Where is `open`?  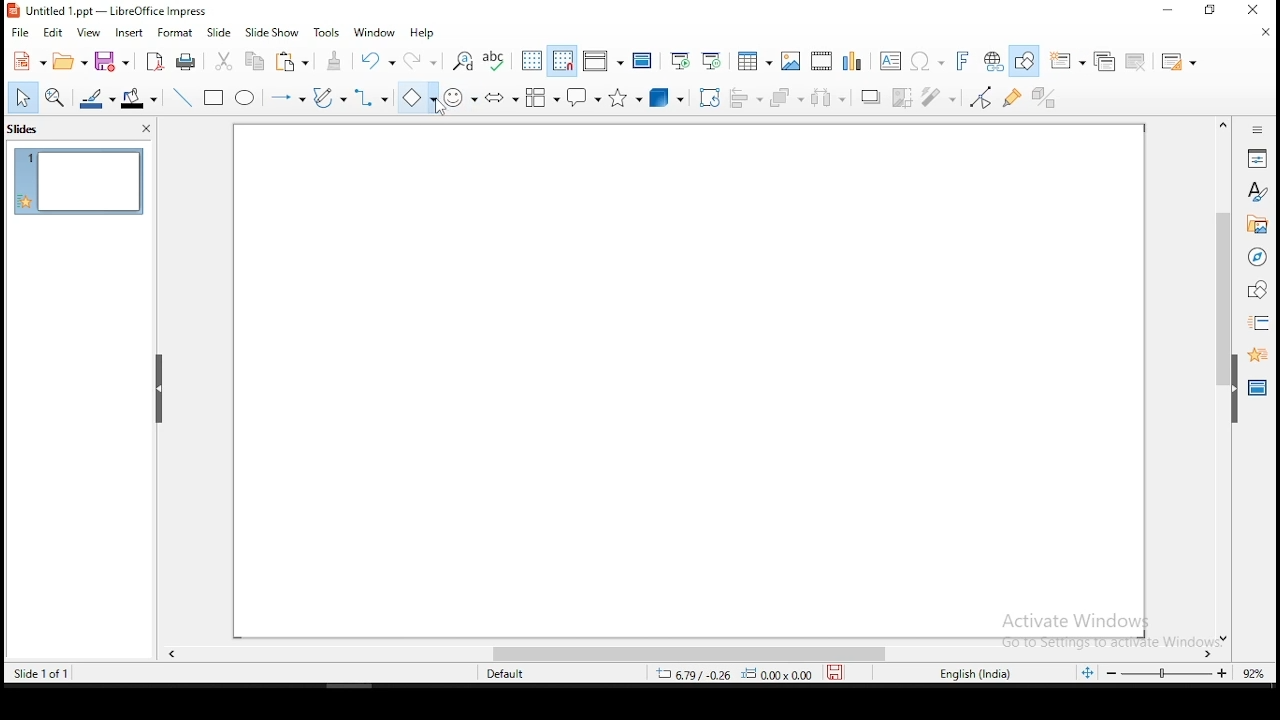
open is located at coordinates (71, 64).